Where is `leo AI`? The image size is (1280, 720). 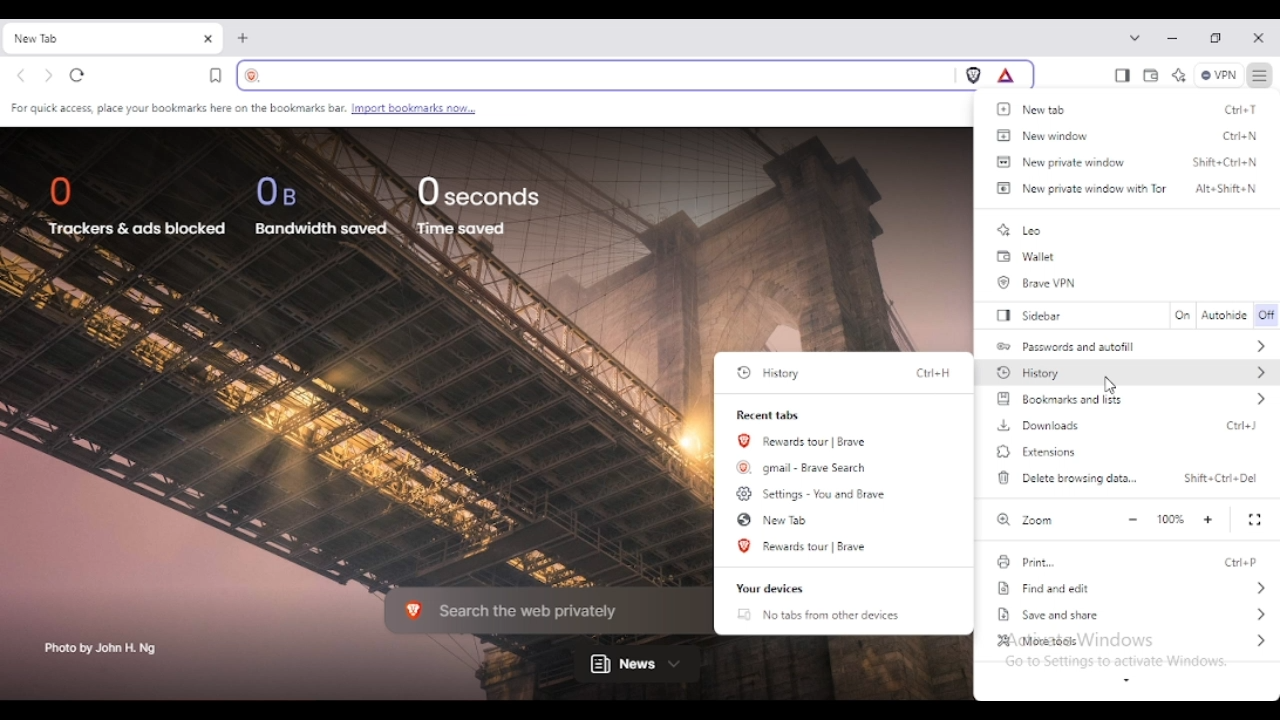
leo AI is located at coordinates (1178, 77).